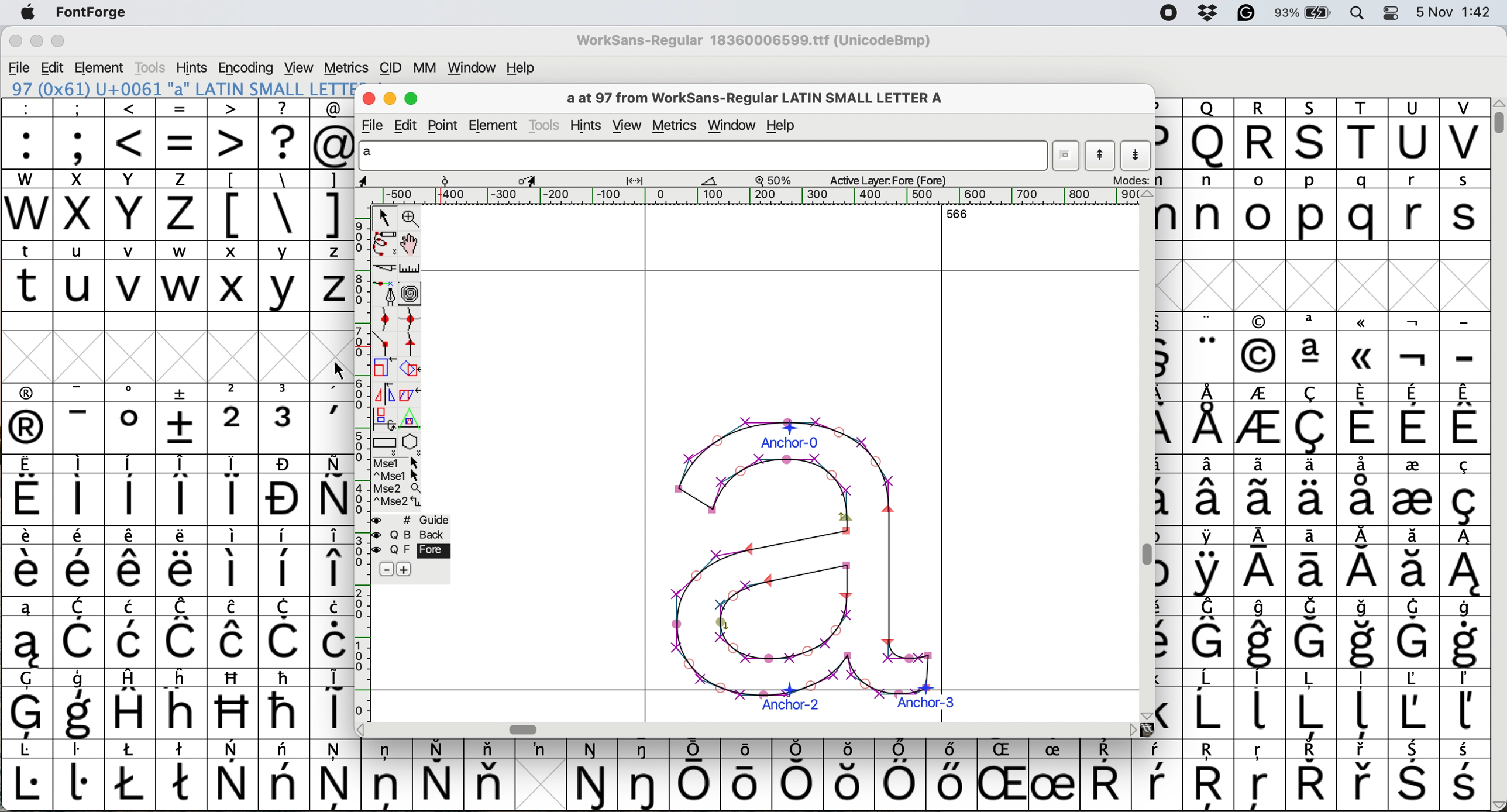  I want to click on a at 97 from WorkSans-Regular LATIN SMALL LETTER A, so click(754, 101).